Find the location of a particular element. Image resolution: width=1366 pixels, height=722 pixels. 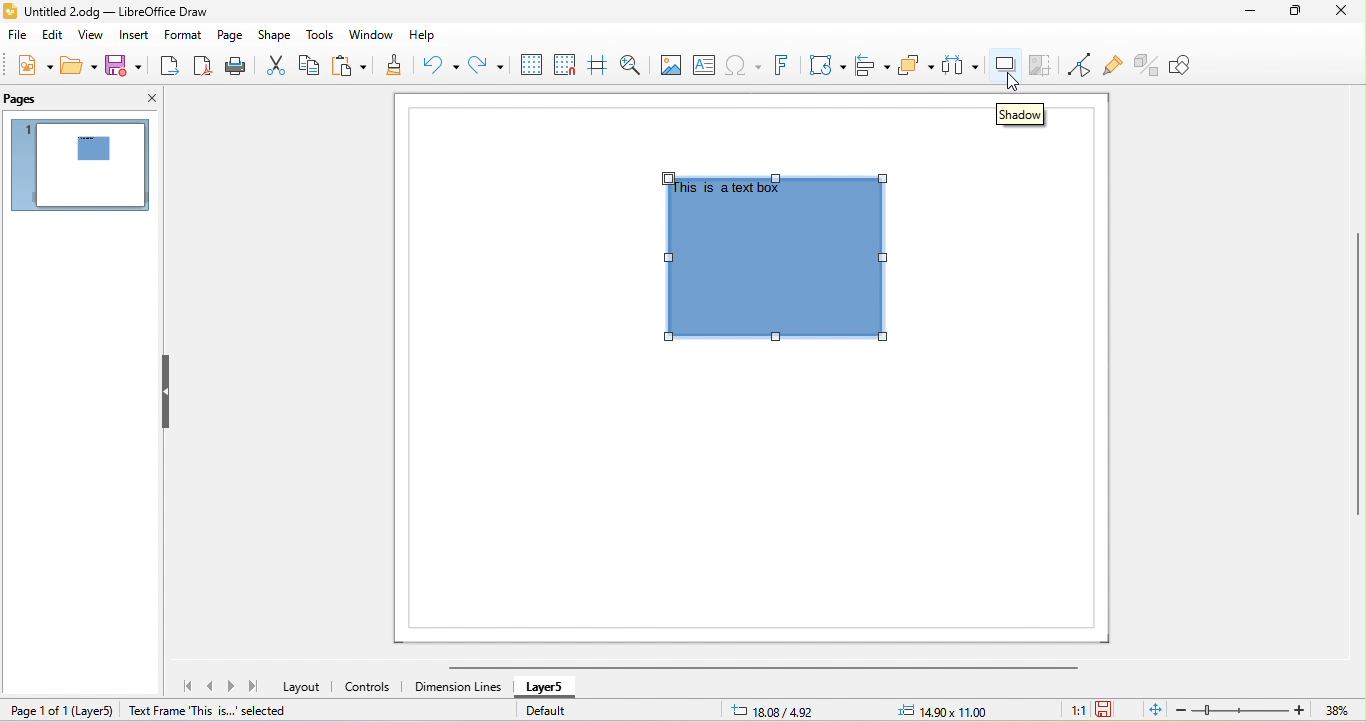

next page is located at coordinates (233, 686).